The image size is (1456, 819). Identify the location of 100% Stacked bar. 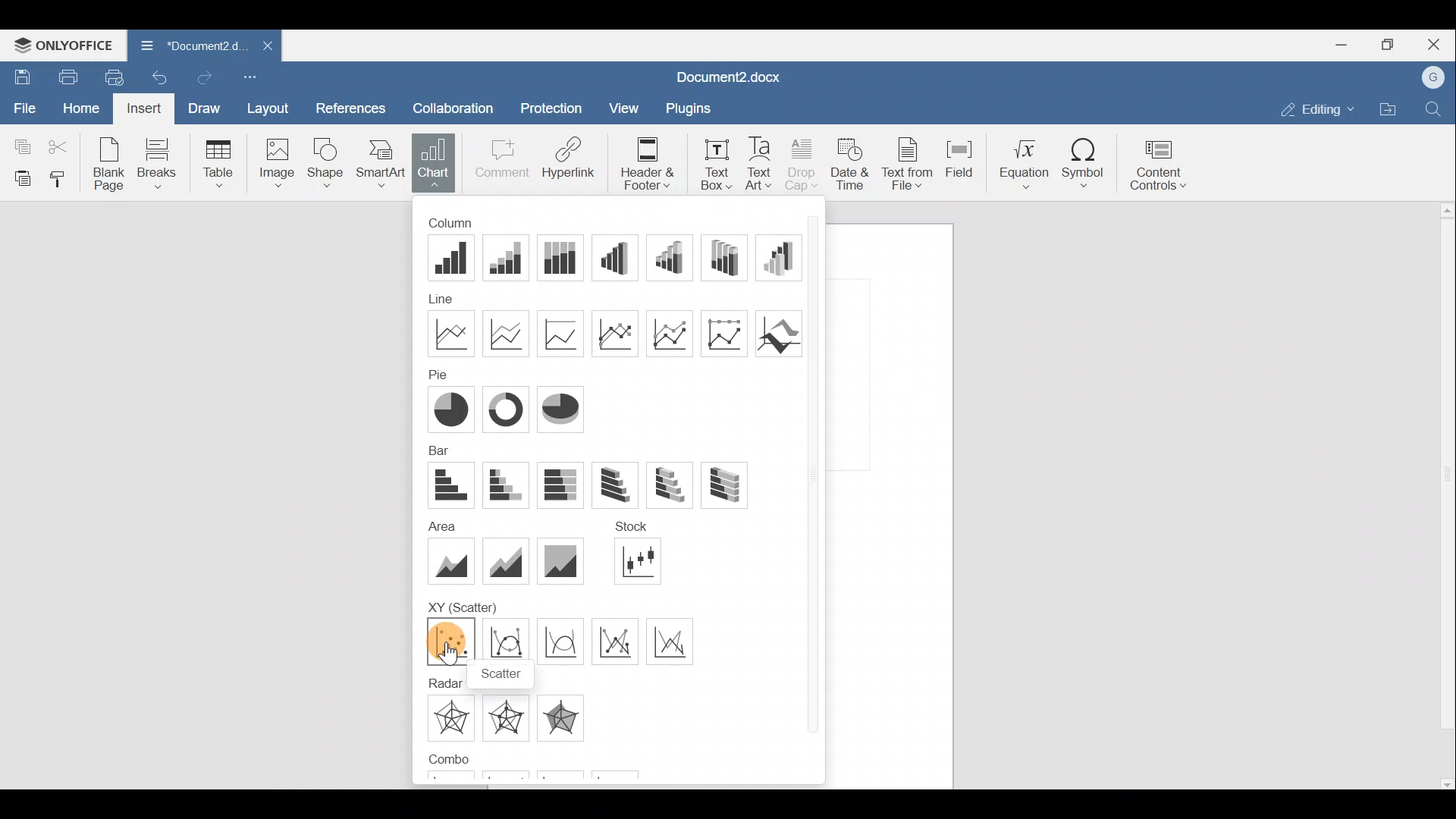
(565, 485).